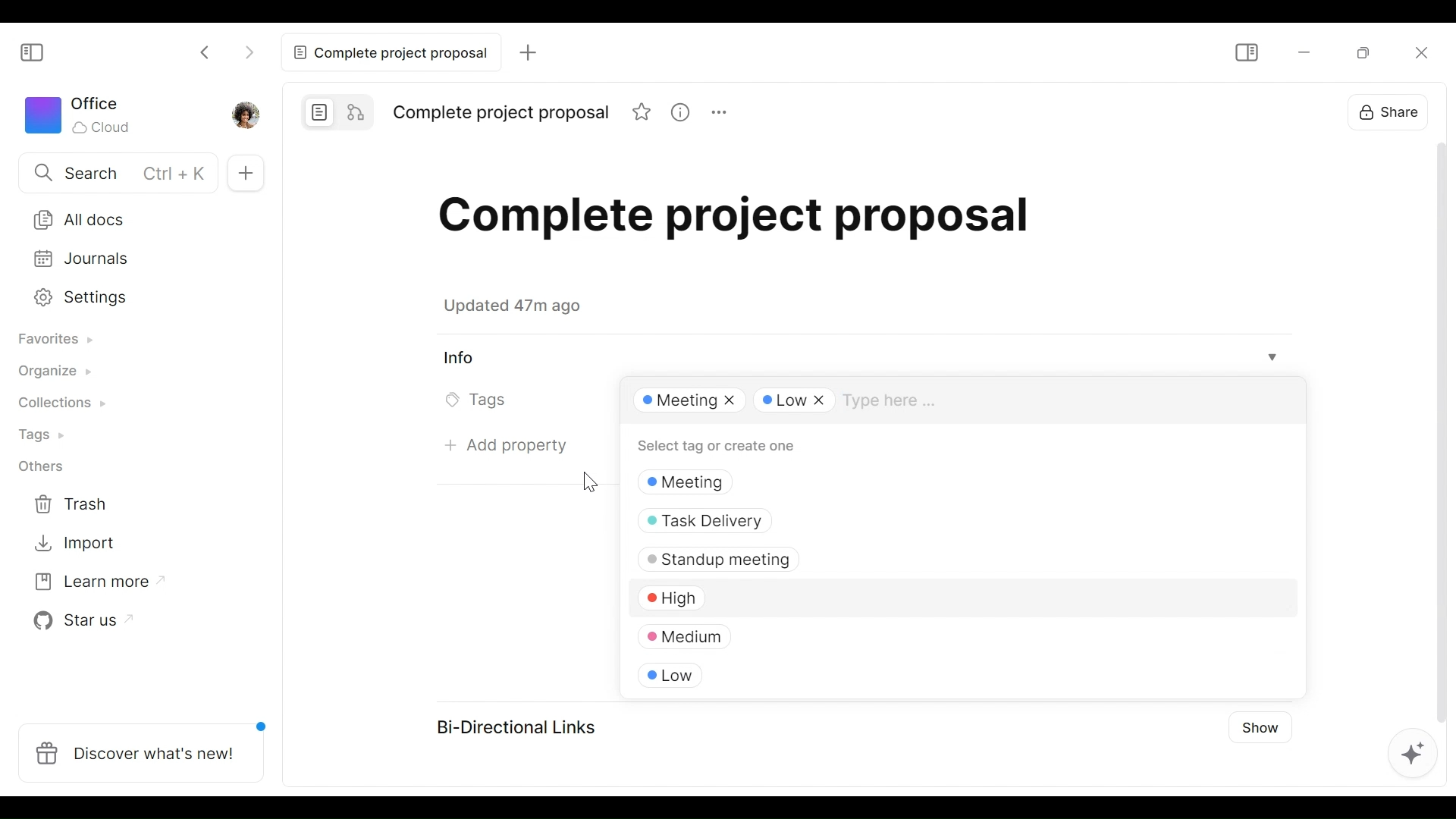 Image resolution: width=1456 pixels, height=819 pixels. Describe the element at coordinates (93, 585) in the screenshot. I see `Learn more` at that location.